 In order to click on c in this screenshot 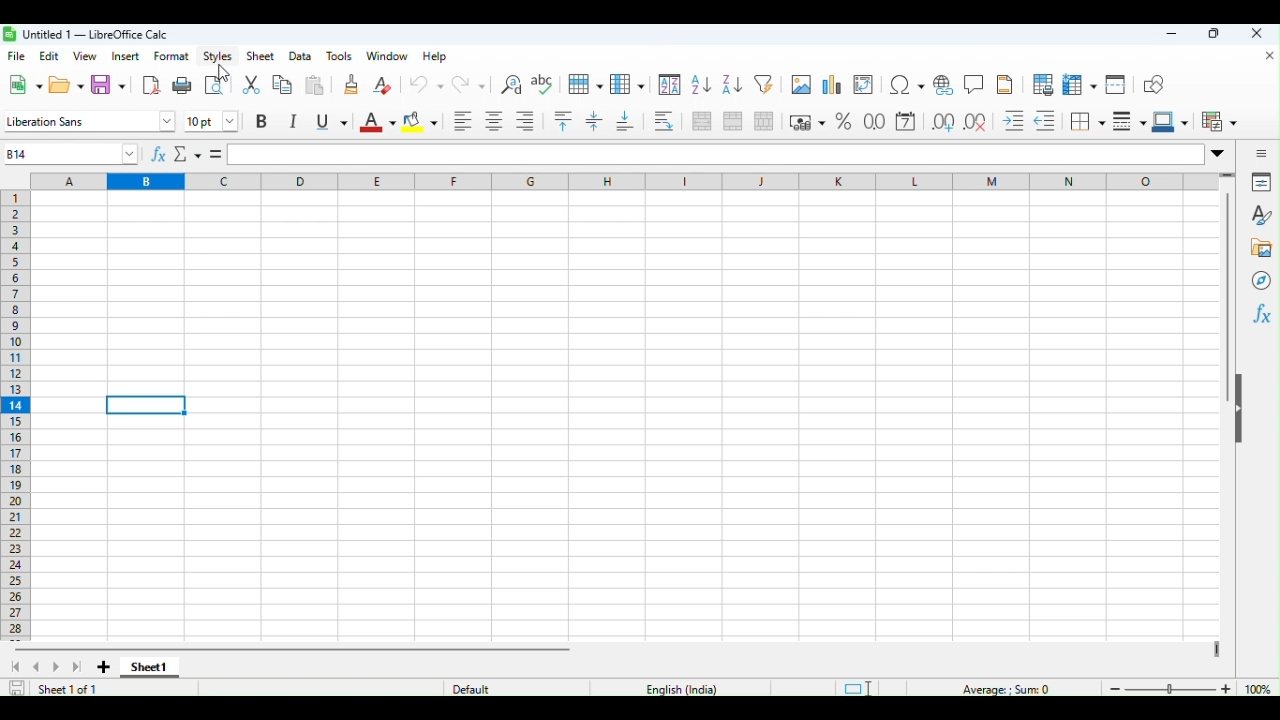, I will do `click(226, 181)`.